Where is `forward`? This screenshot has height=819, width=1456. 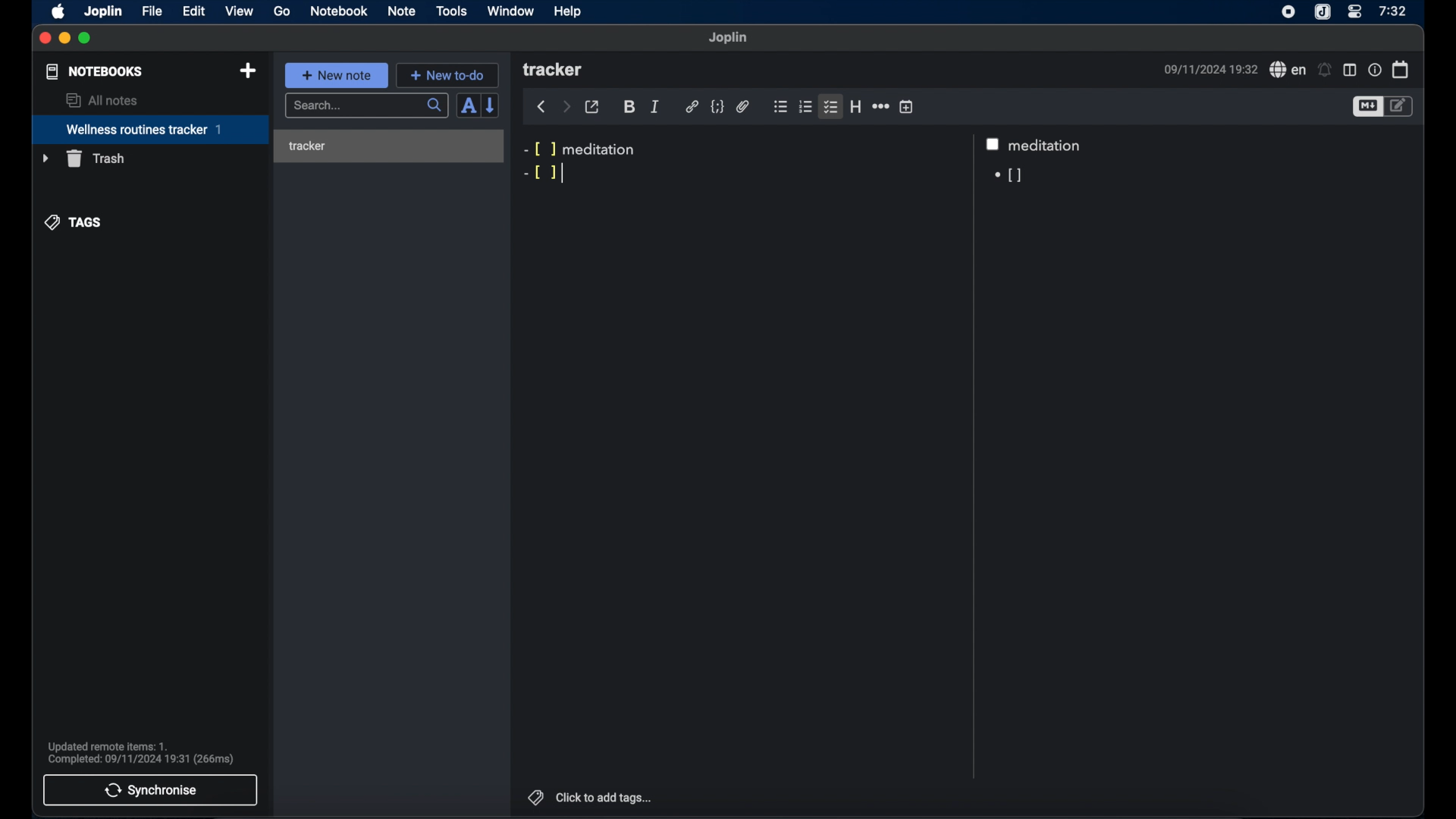 forward is located at coordinates (566, 106).